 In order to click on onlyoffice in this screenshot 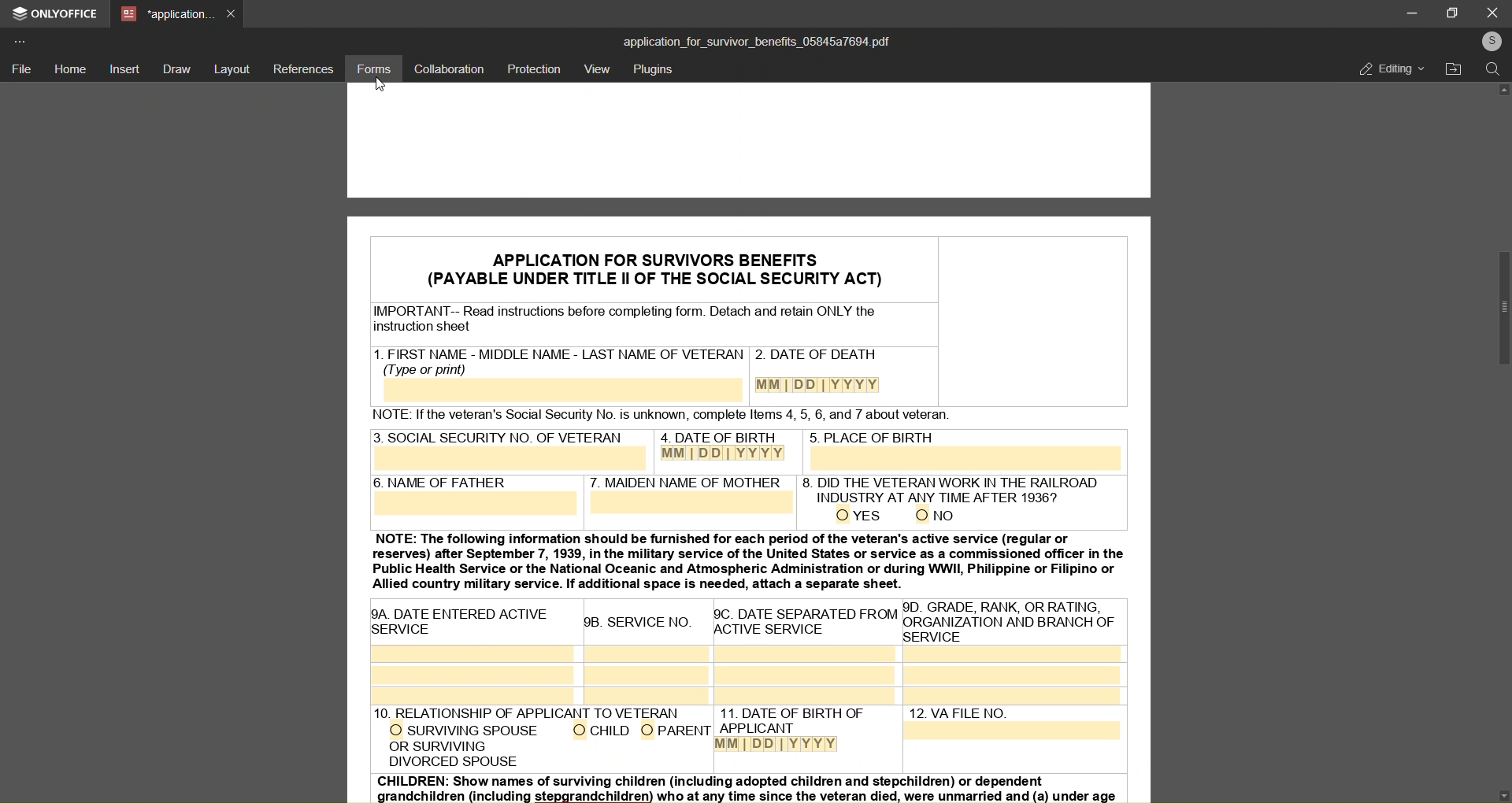, I will do `click(57, 16)`.